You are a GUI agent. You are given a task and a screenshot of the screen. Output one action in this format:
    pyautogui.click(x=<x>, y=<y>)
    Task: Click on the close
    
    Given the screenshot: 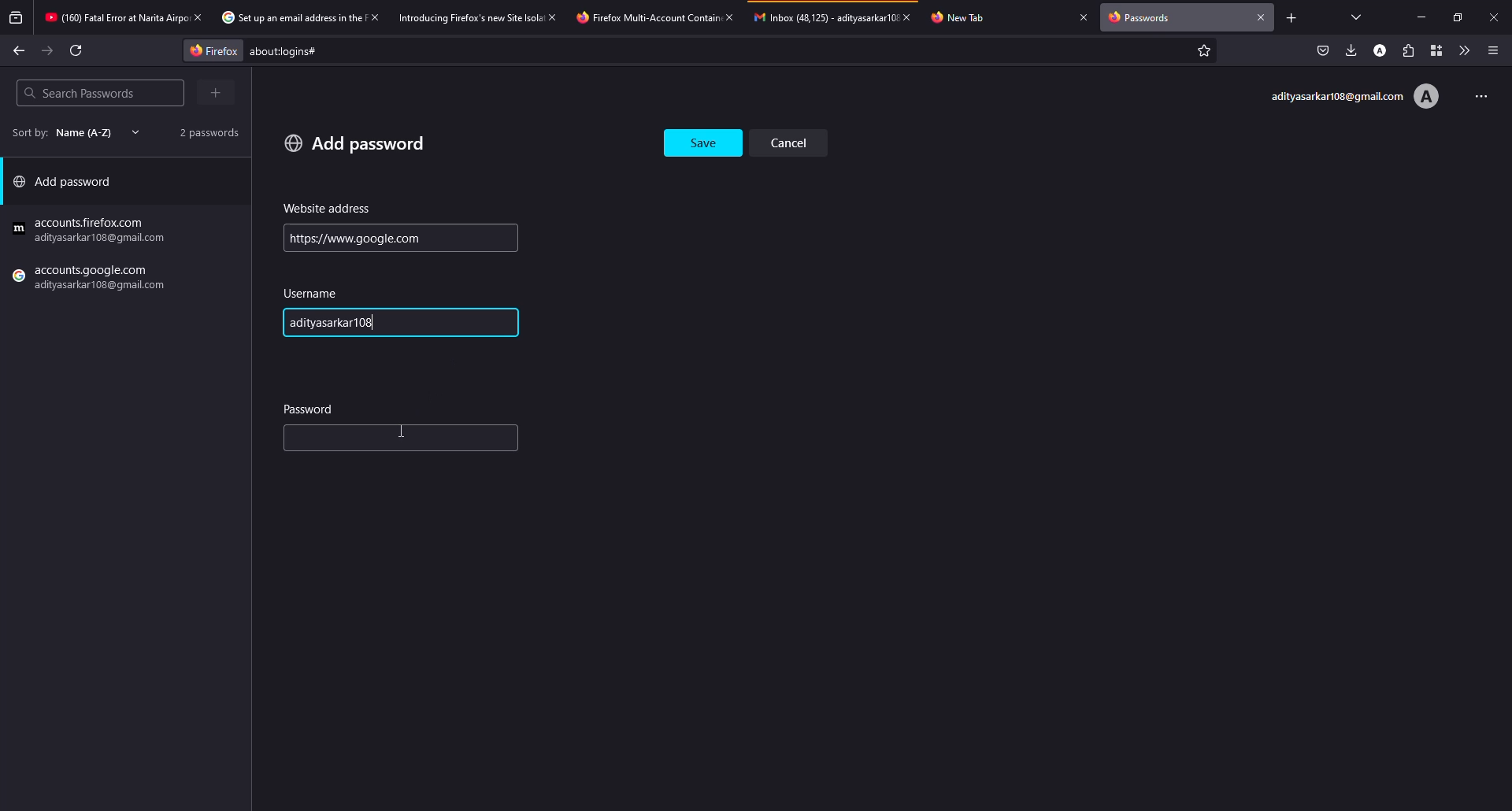 What is the action you would take?
    pyautogui.click(x=373, y=17)
    